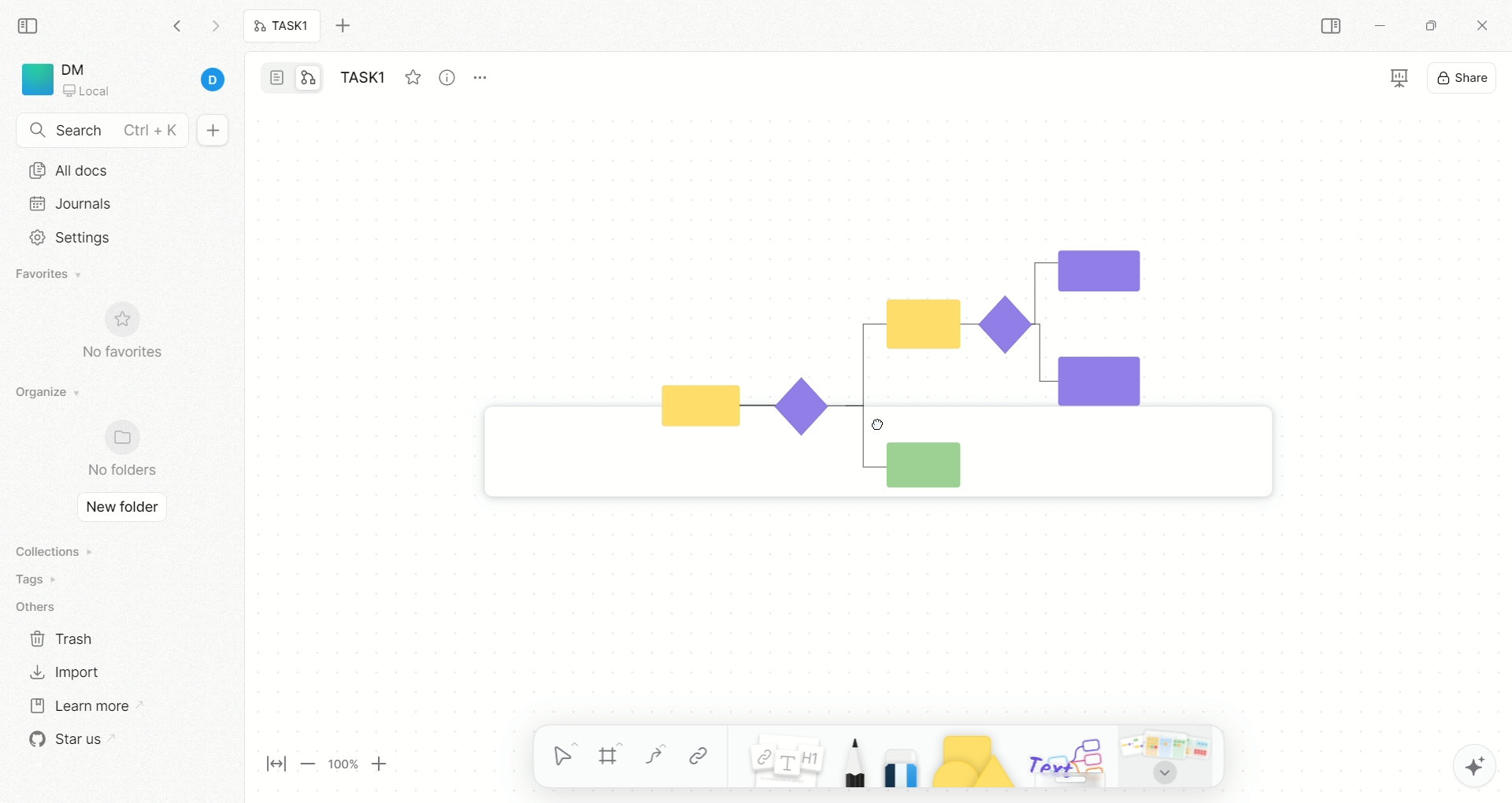  I want to click on page mode, so click(278, 80).